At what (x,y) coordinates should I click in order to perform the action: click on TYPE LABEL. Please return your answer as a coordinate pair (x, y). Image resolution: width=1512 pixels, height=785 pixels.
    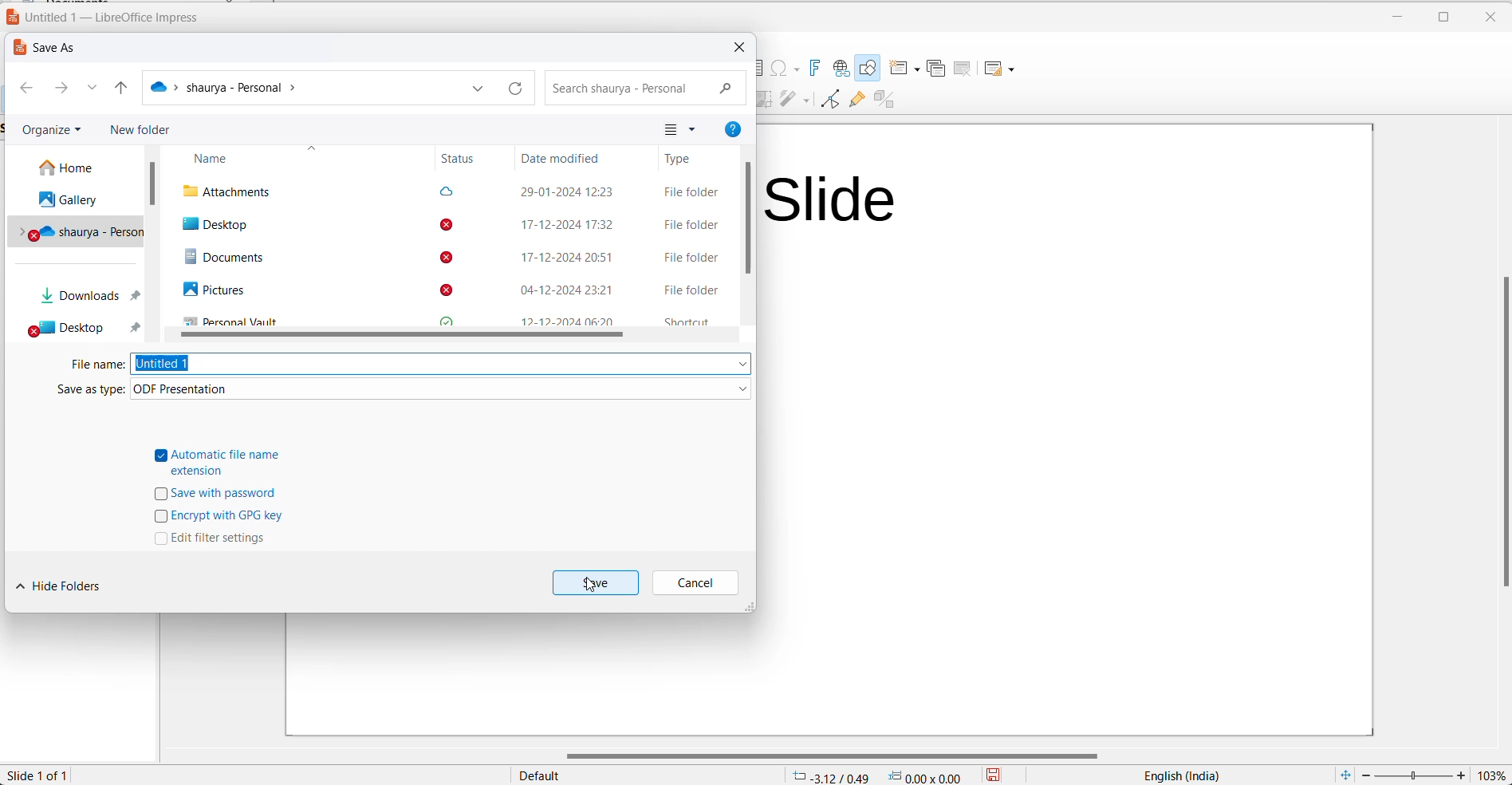
    Looking at the image, I should click on (683, 160).